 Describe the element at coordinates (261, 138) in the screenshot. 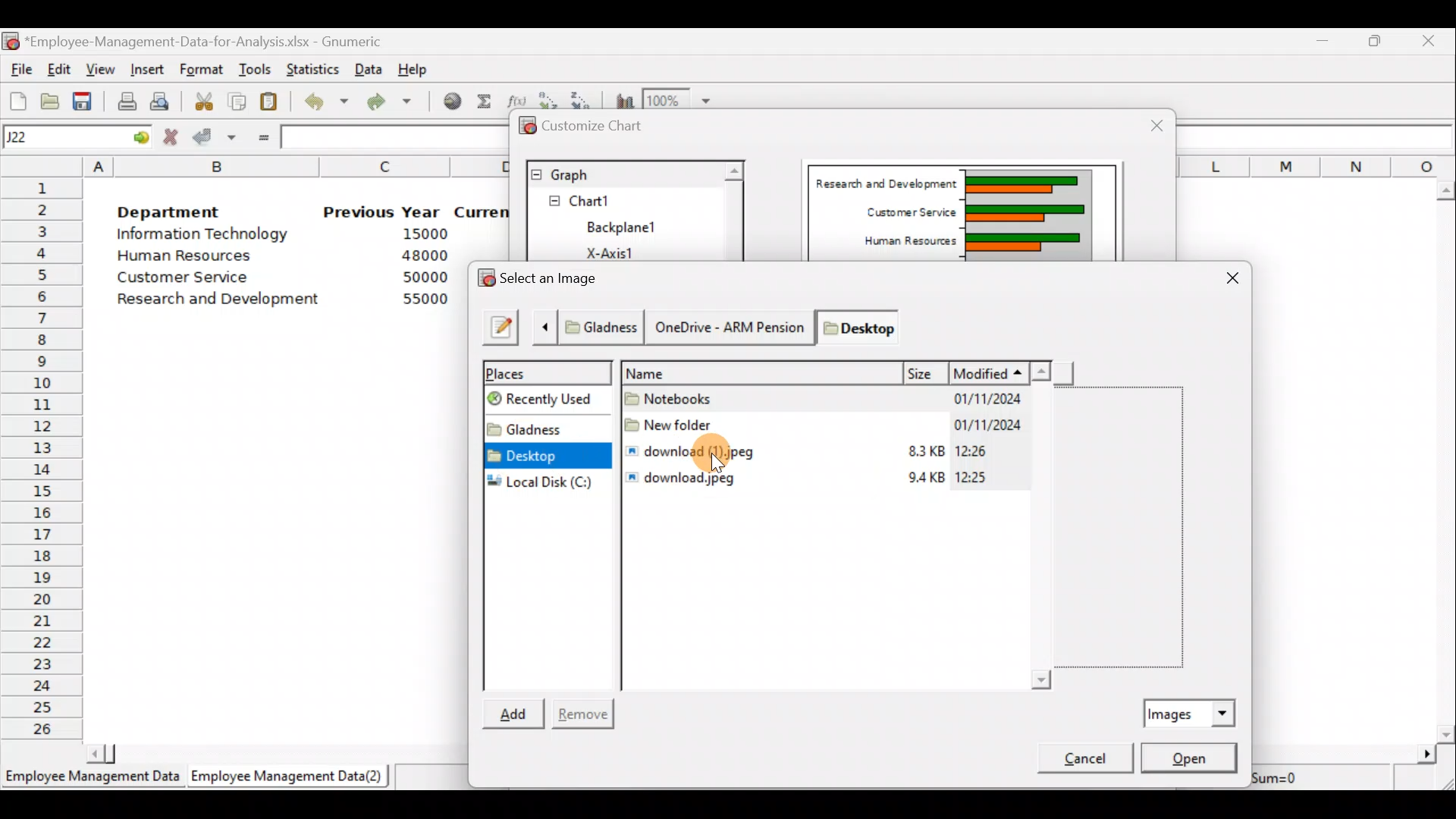

I see `Enter formula` at that location.